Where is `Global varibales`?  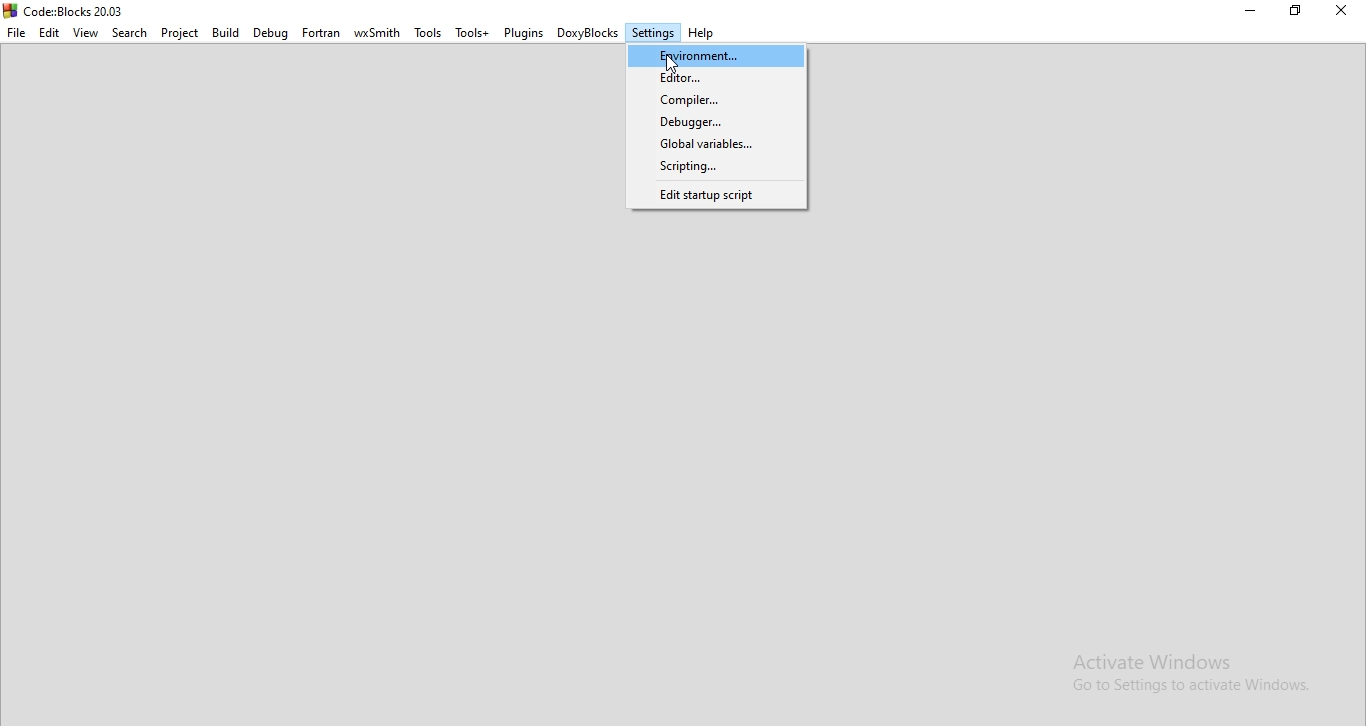 Global varibales is located at coordinates (717, 144).